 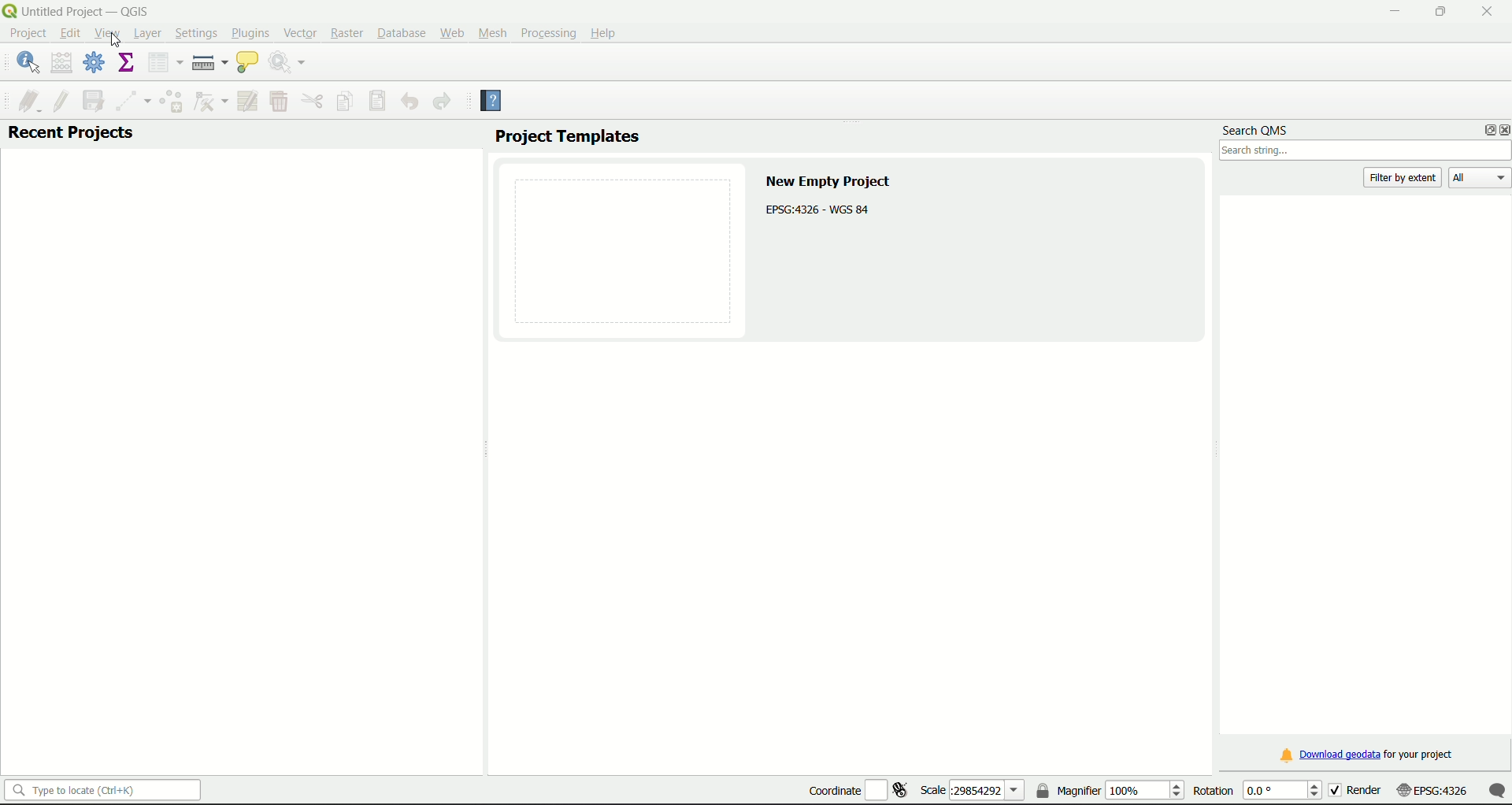 What do you see at coordinates (1259, 790) in the screenshot?
I see `rotation` at bounding box center [1259, 790].